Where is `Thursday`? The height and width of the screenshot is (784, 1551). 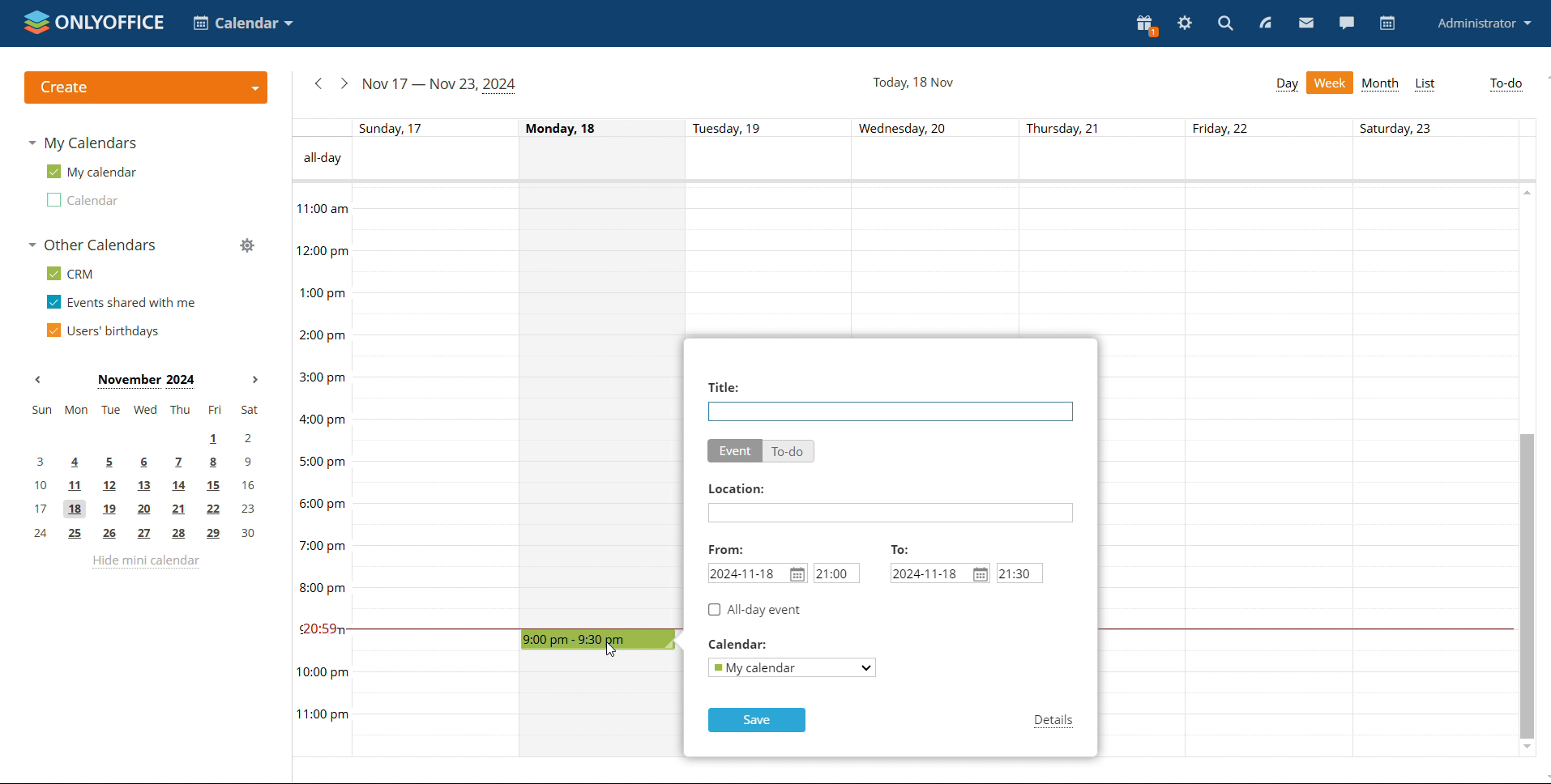
Thursday is located at coordinates (1146, 471).